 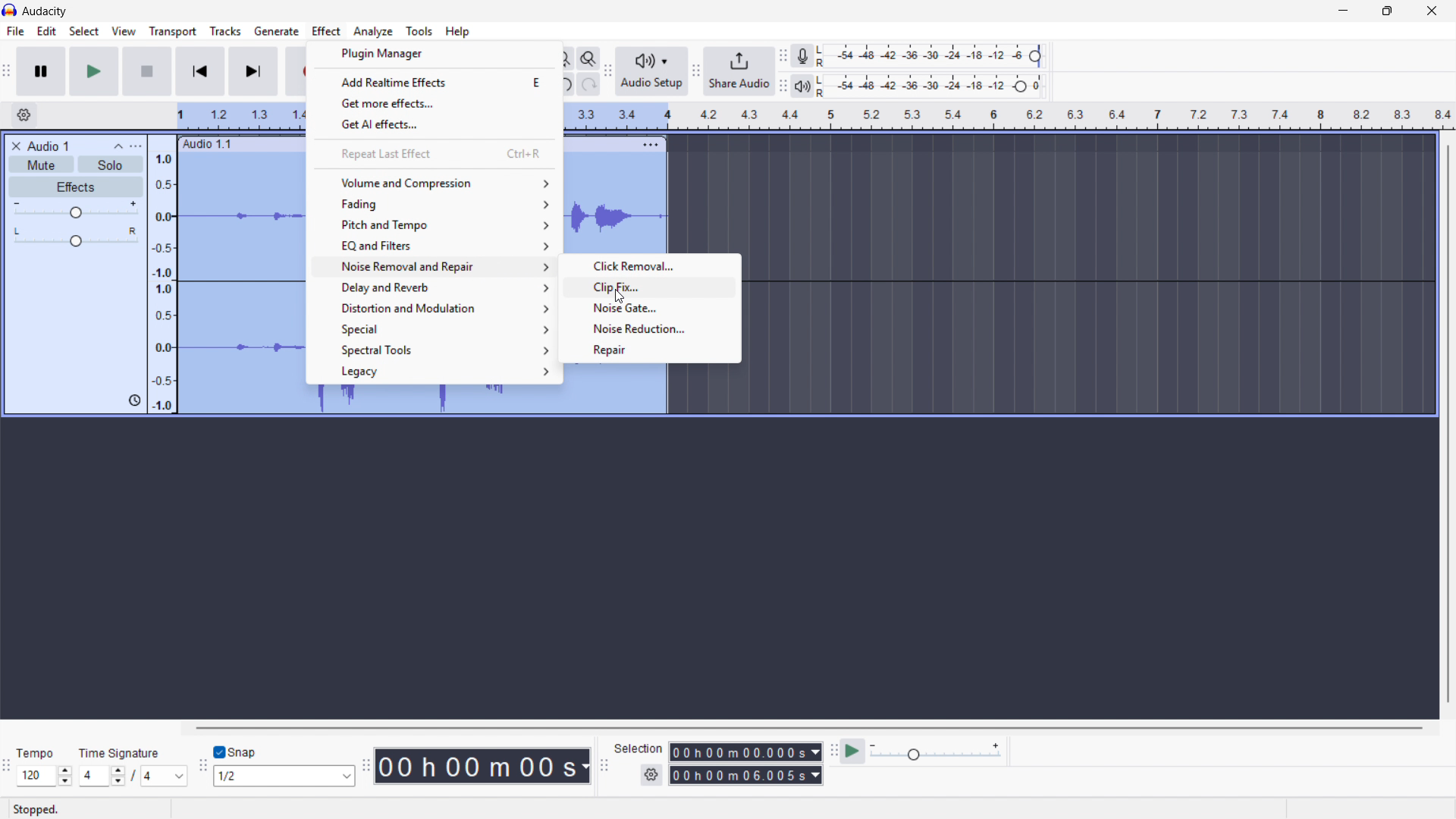 What do you see at coordinates (45, 11) in the screenshot?
I see `Title ` at bounding box center [45, 11].